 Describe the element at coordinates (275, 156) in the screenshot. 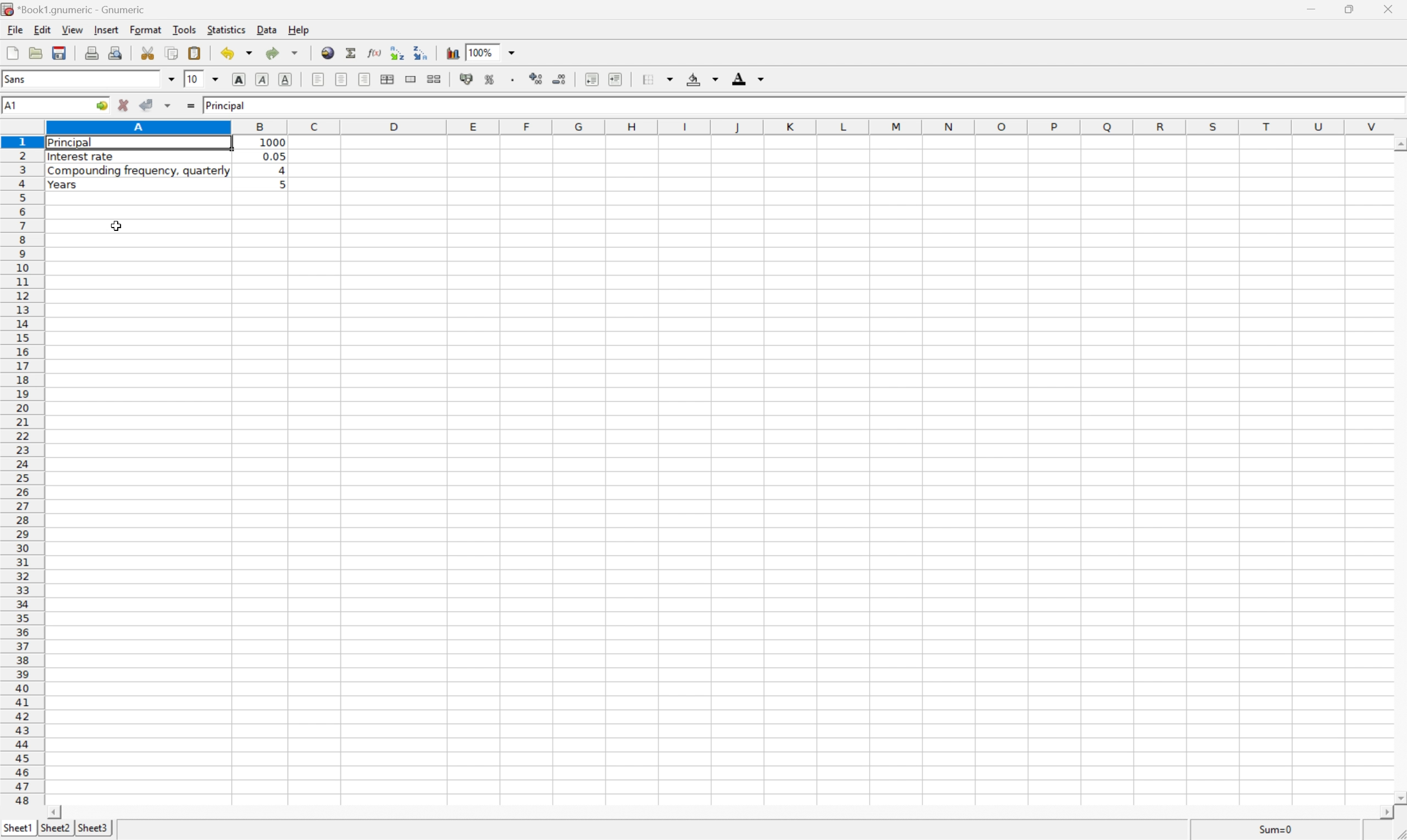

I see `0.05` at that location.